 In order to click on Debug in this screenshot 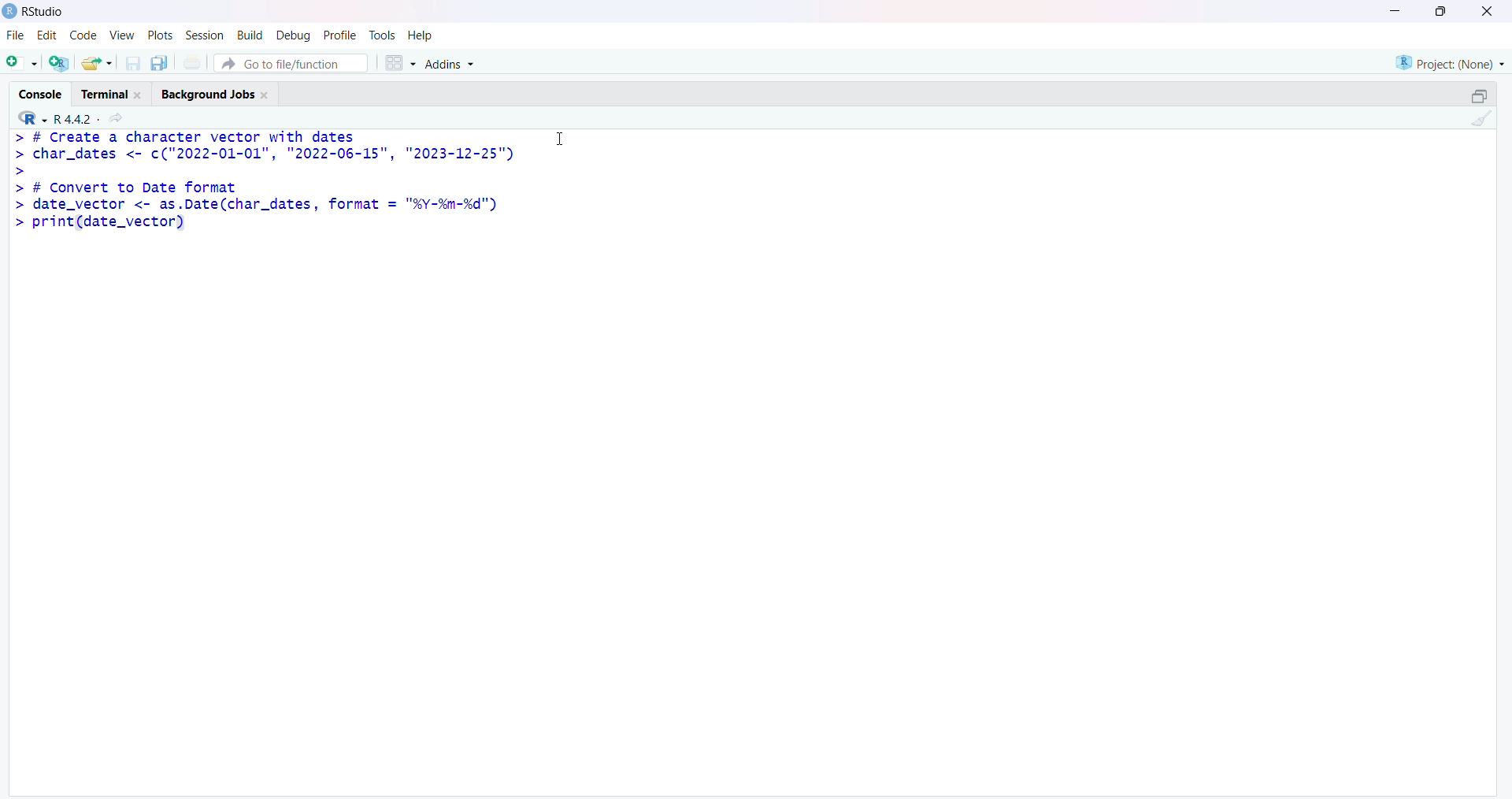, I will do `click(292, 36)`.